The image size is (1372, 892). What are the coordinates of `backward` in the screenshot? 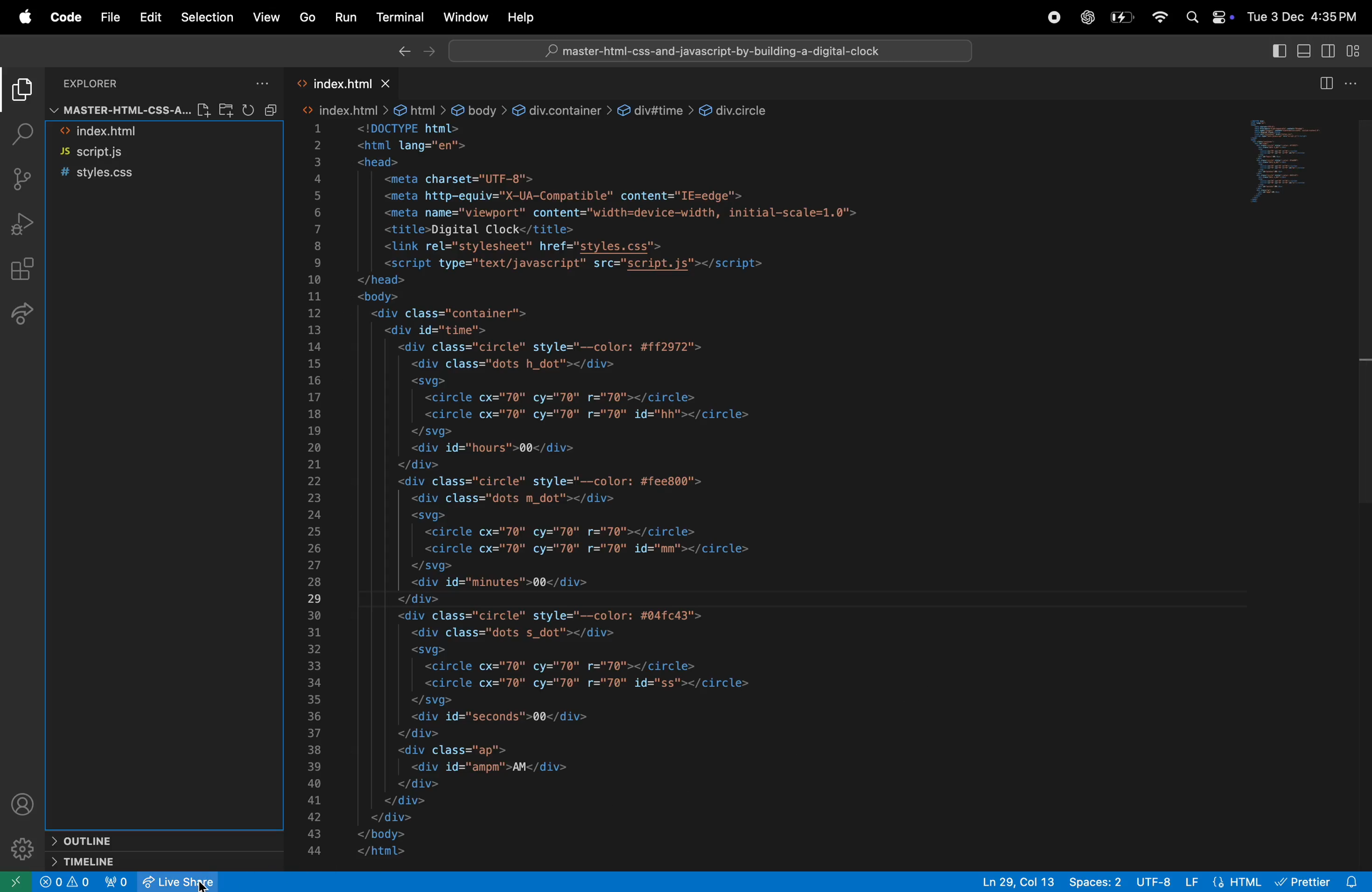 It's located at (402, 52).